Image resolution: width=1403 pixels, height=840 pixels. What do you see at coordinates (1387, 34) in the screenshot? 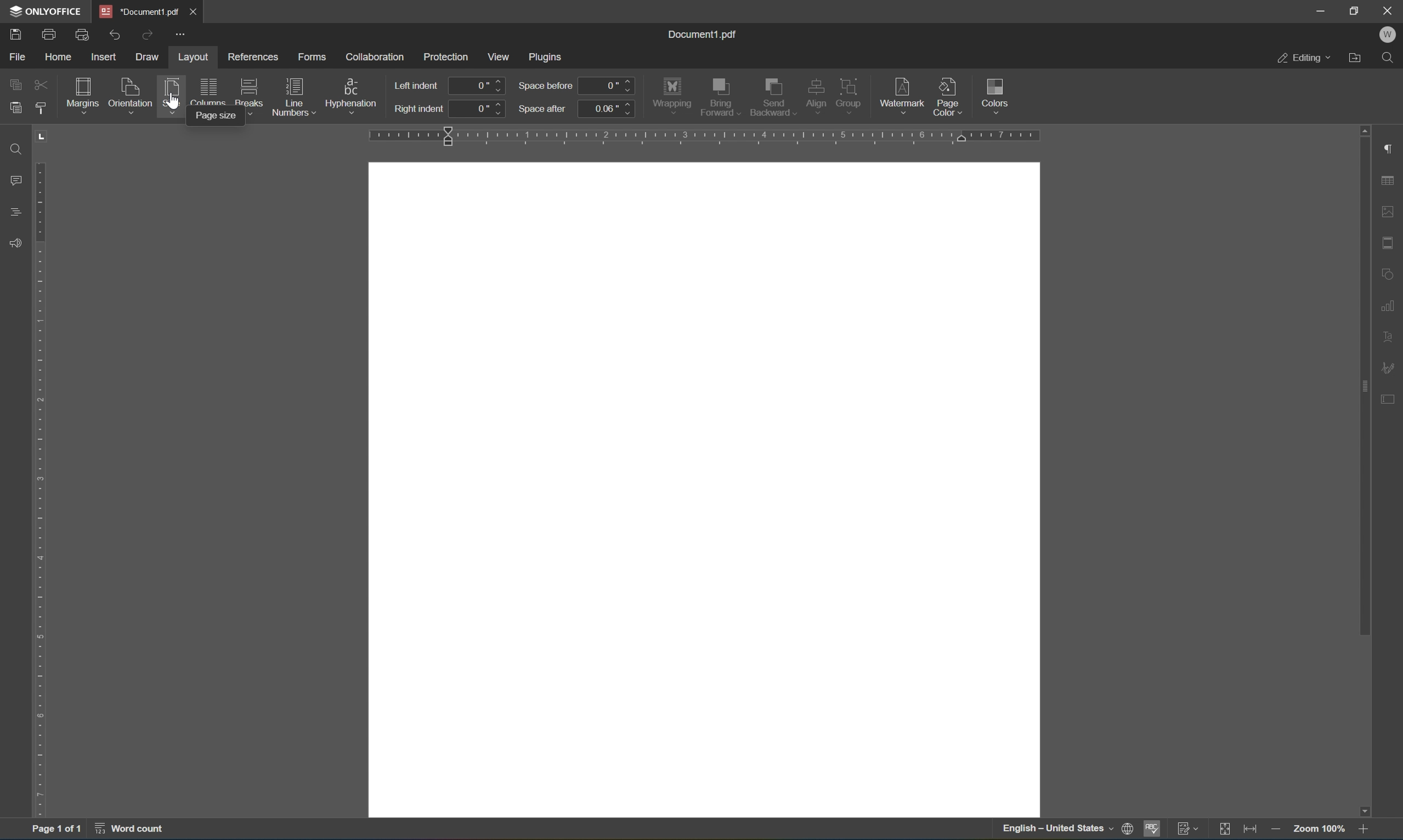
I see `W` at bounding box center [1387, 34].